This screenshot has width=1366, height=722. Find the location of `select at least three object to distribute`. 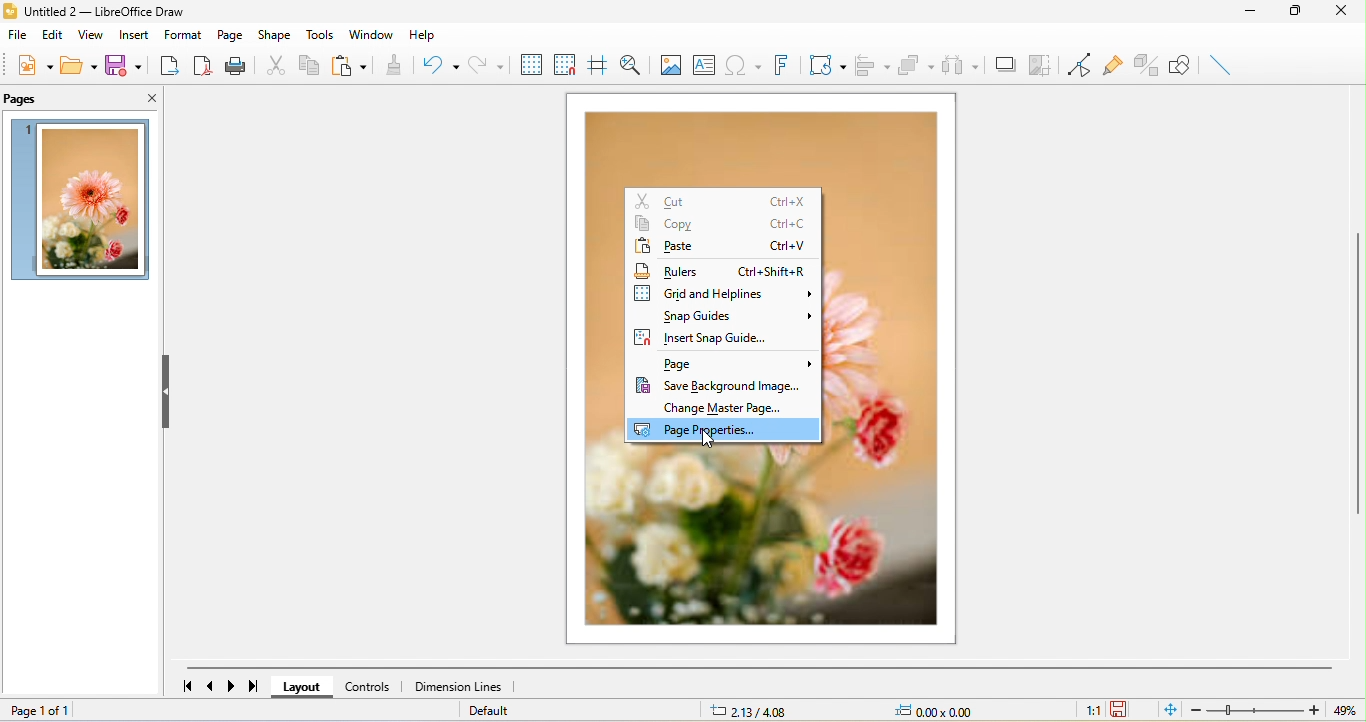

select at least three object to distribute is located at coordinates (959, 63).